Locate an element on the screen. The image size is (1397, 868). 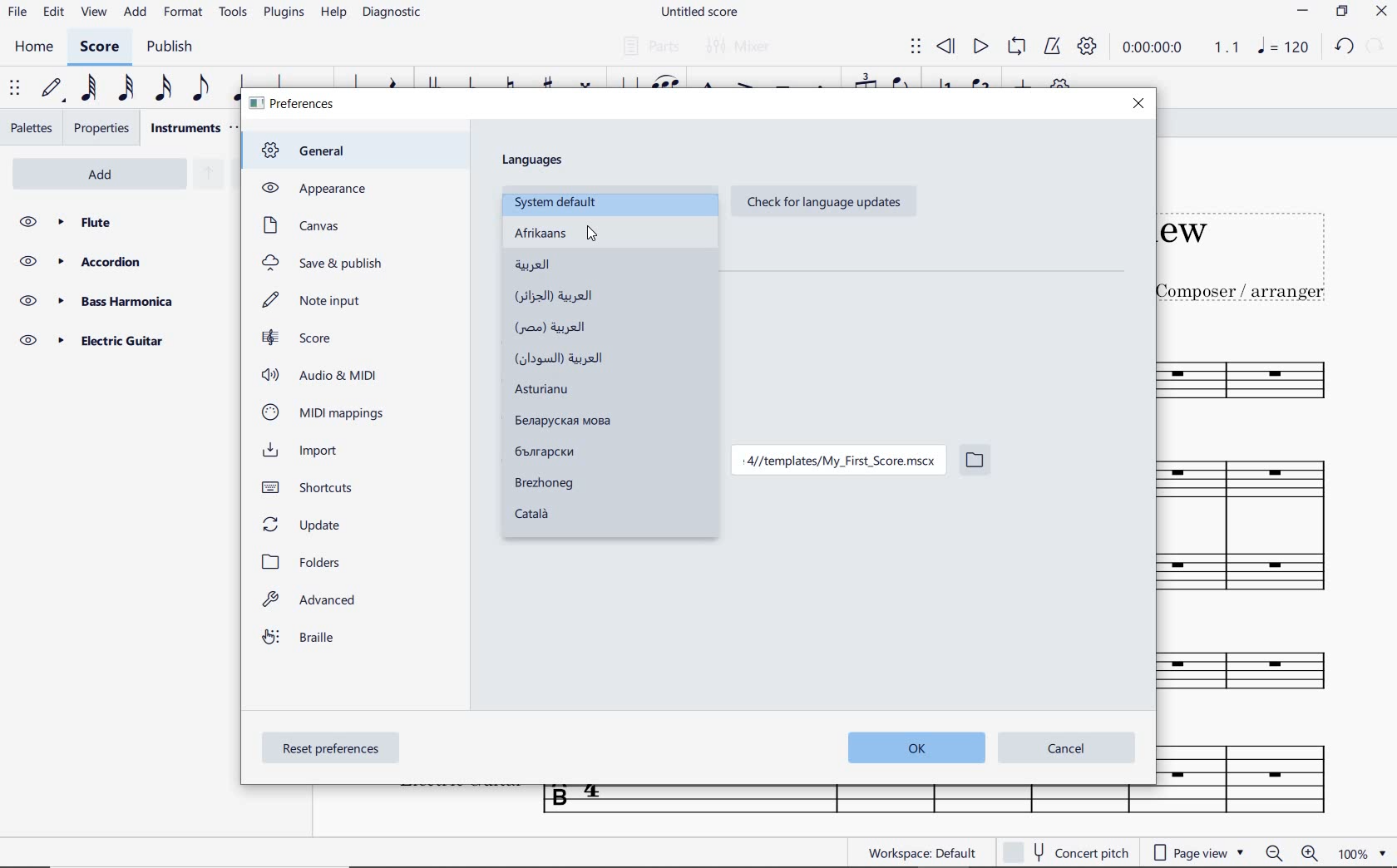
bass harmonica is located at coordinates (119, 301).